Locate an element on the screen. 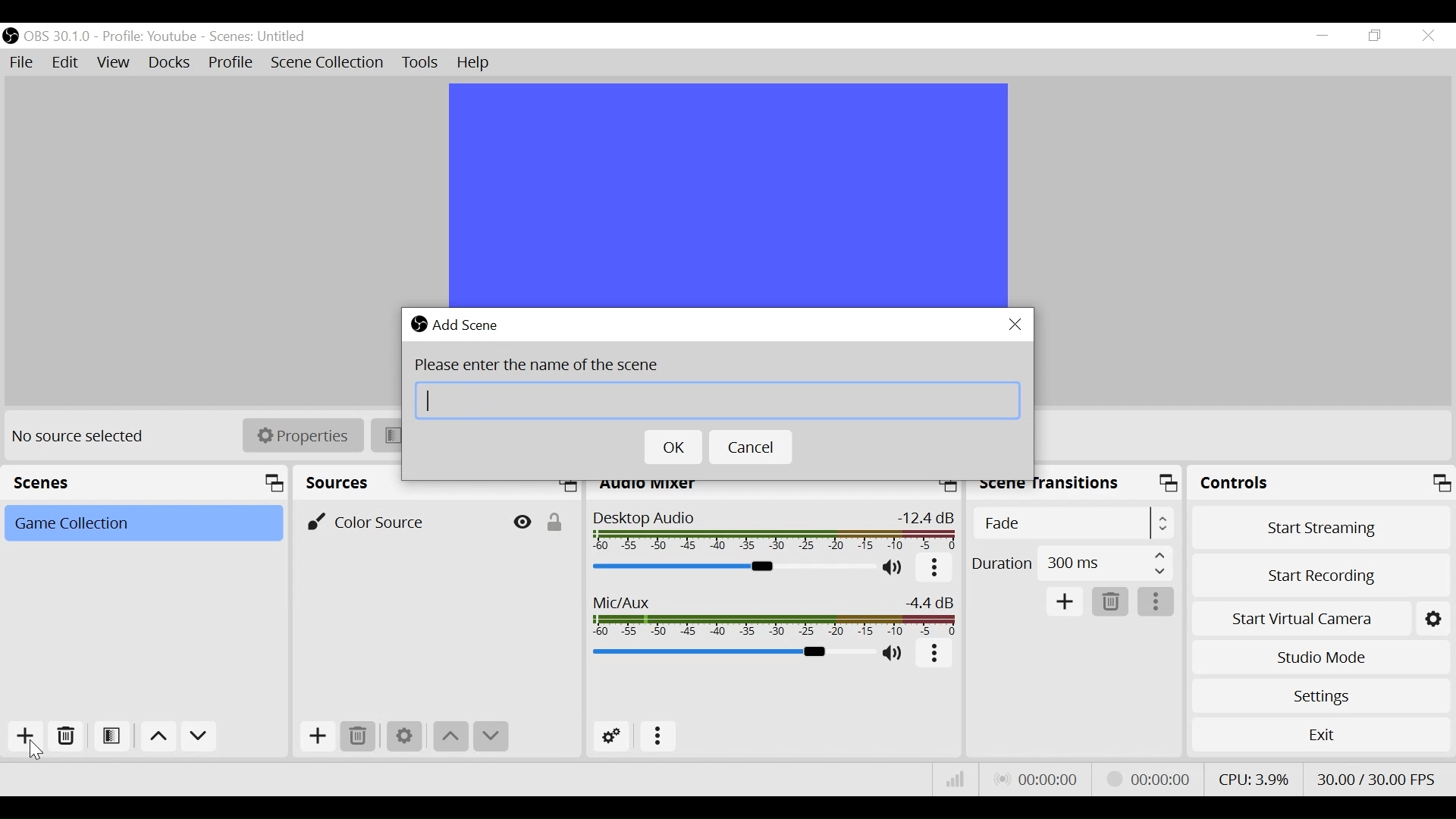  Mic/Aux is located at coordinates (730, 653).